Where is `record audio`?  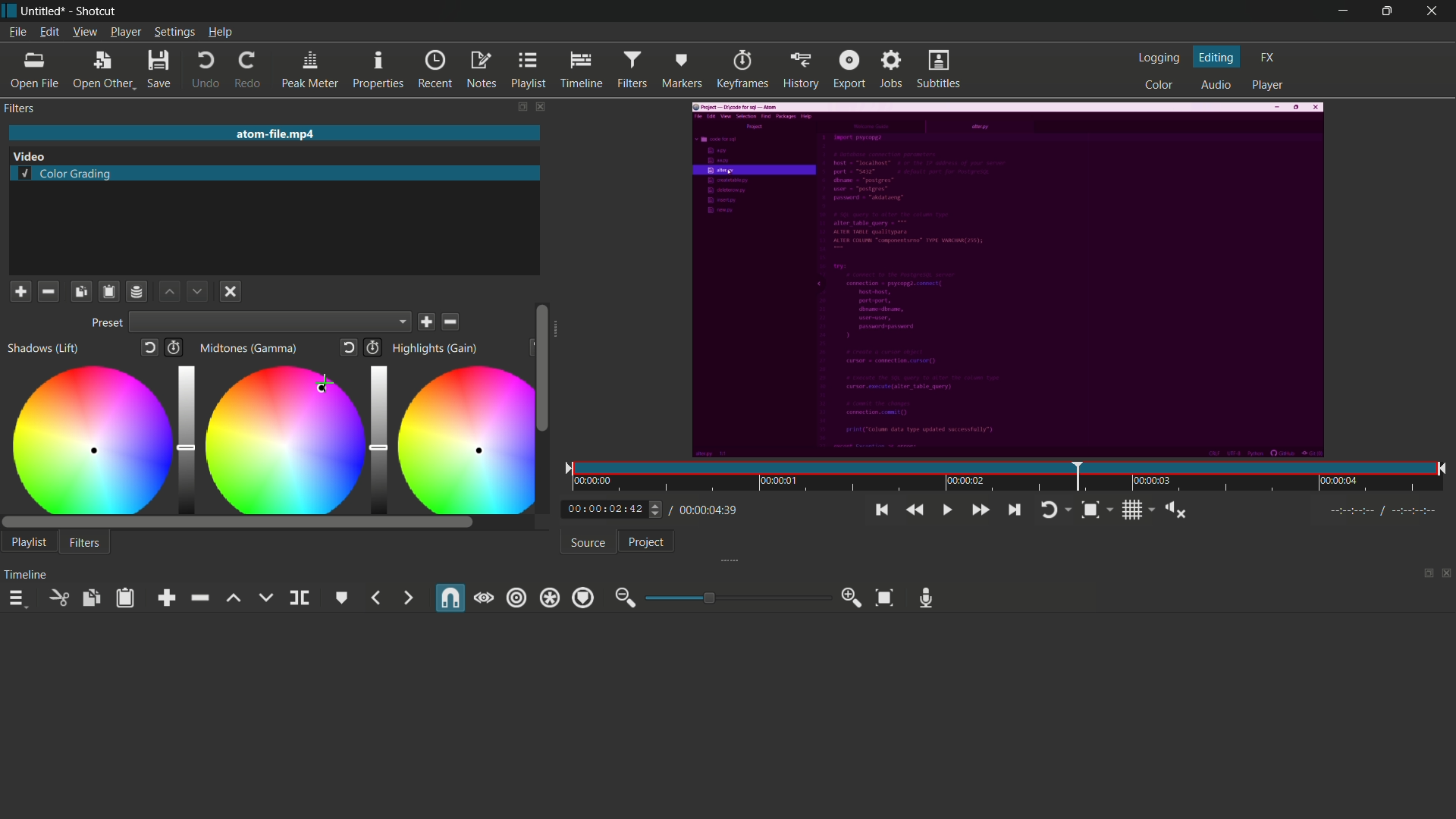 record audio is located at coordinates (927, 598).